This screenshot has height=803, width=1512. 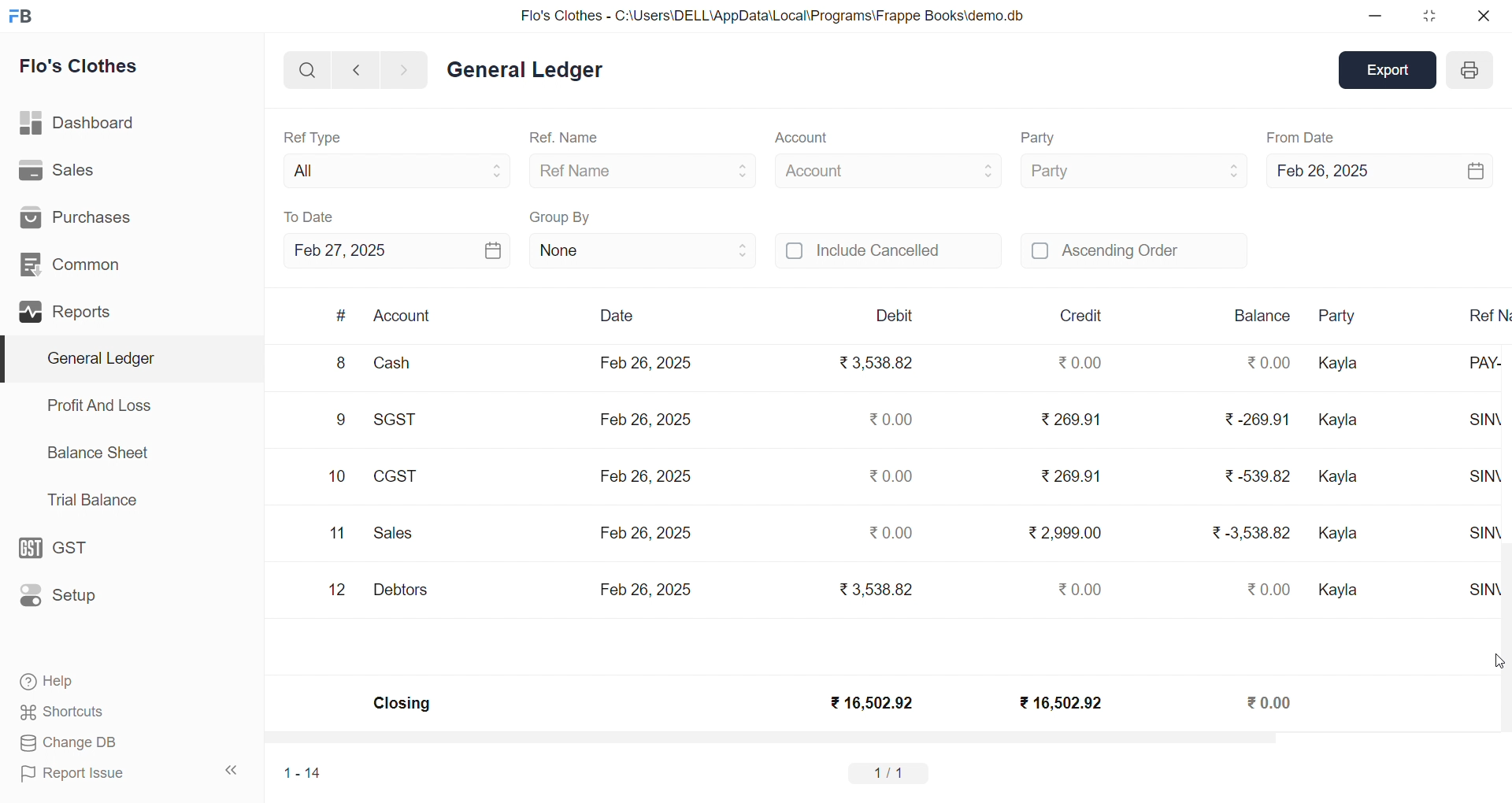 What do you see at coordinates (1076, 589) in the screenshot?
I see `₹ 0.00` at bounding box center [1076, 589].